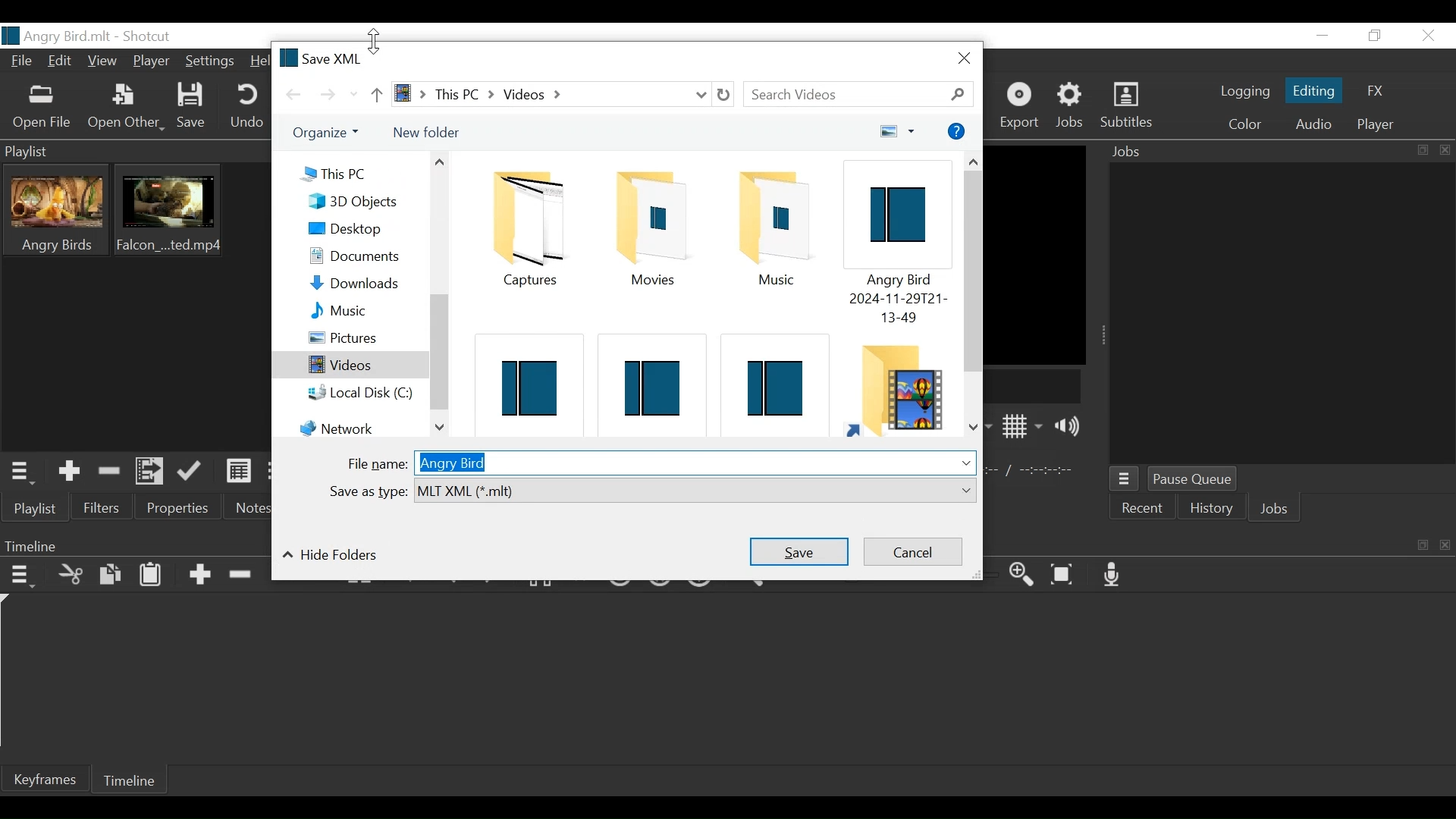 This screenshot has width=1456, height=819. I want to click on Notes, so click(246, 509).